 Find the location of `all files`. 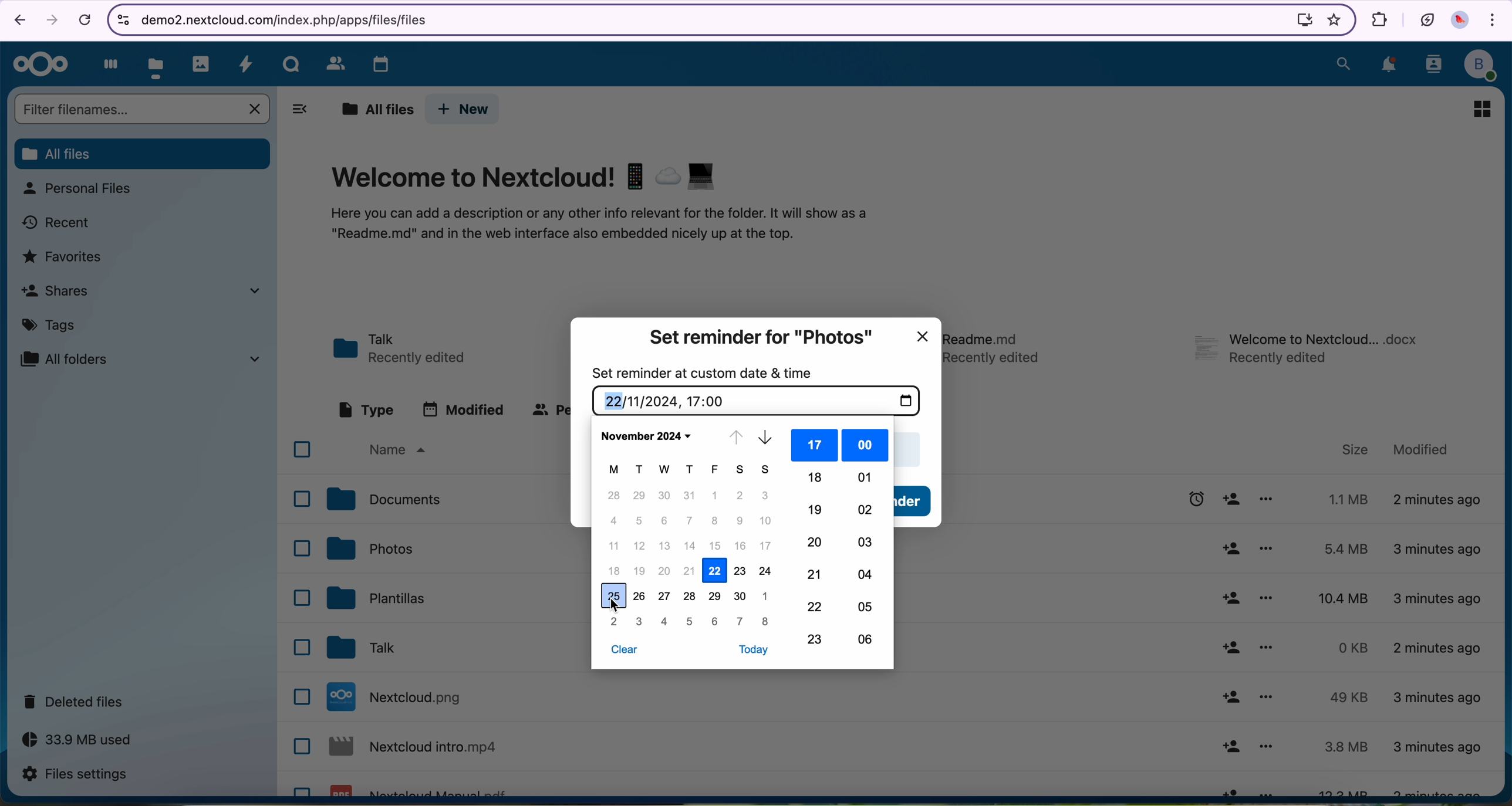

all files is located at coordinates (143, 154).